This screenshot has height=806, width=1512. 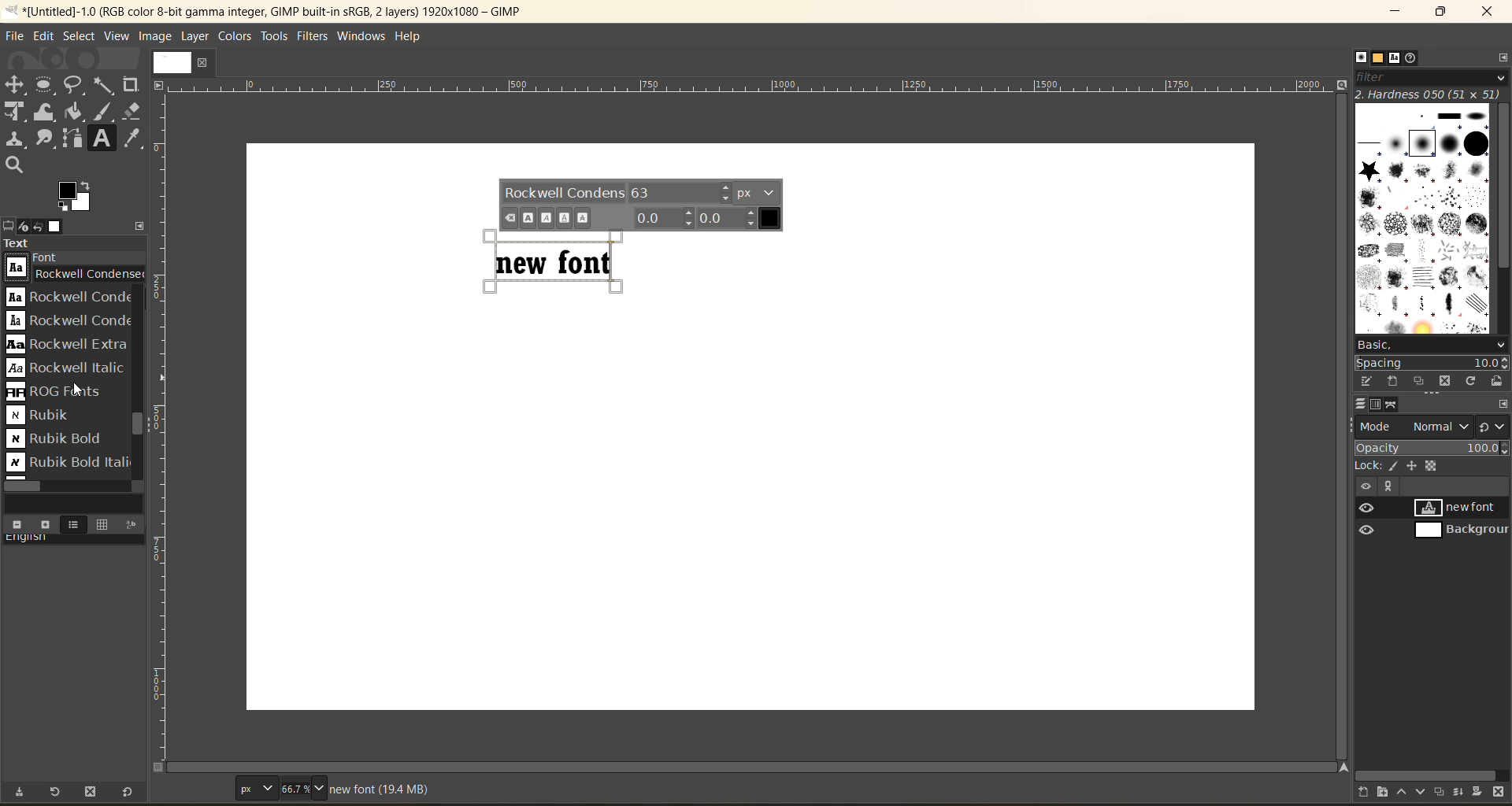 I want to click on vertical scroll bar, so click(x=133, y=426).